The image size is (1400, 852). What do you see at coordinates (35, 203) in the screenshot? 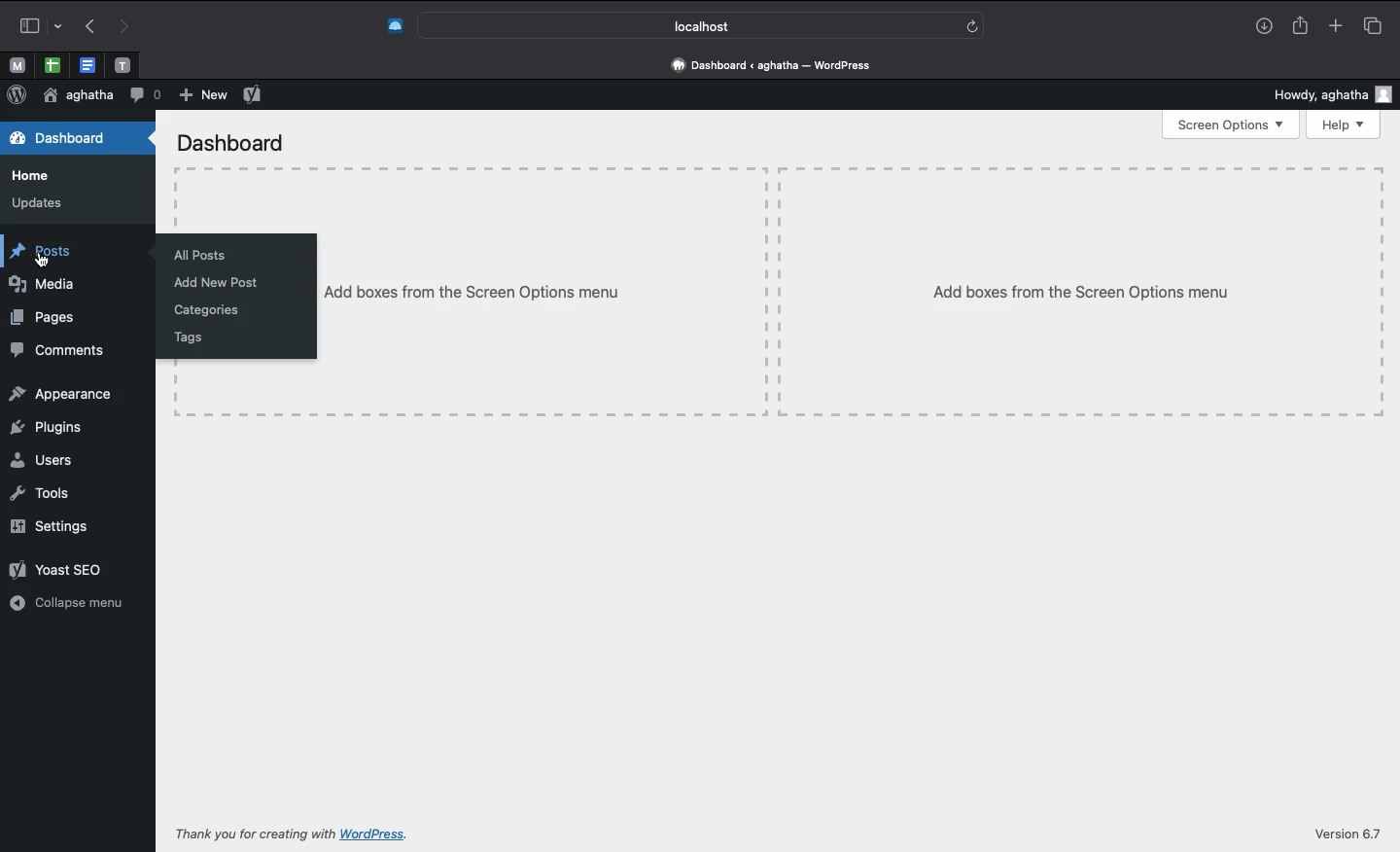
I see `Updates` at bounding box center [35, 203].